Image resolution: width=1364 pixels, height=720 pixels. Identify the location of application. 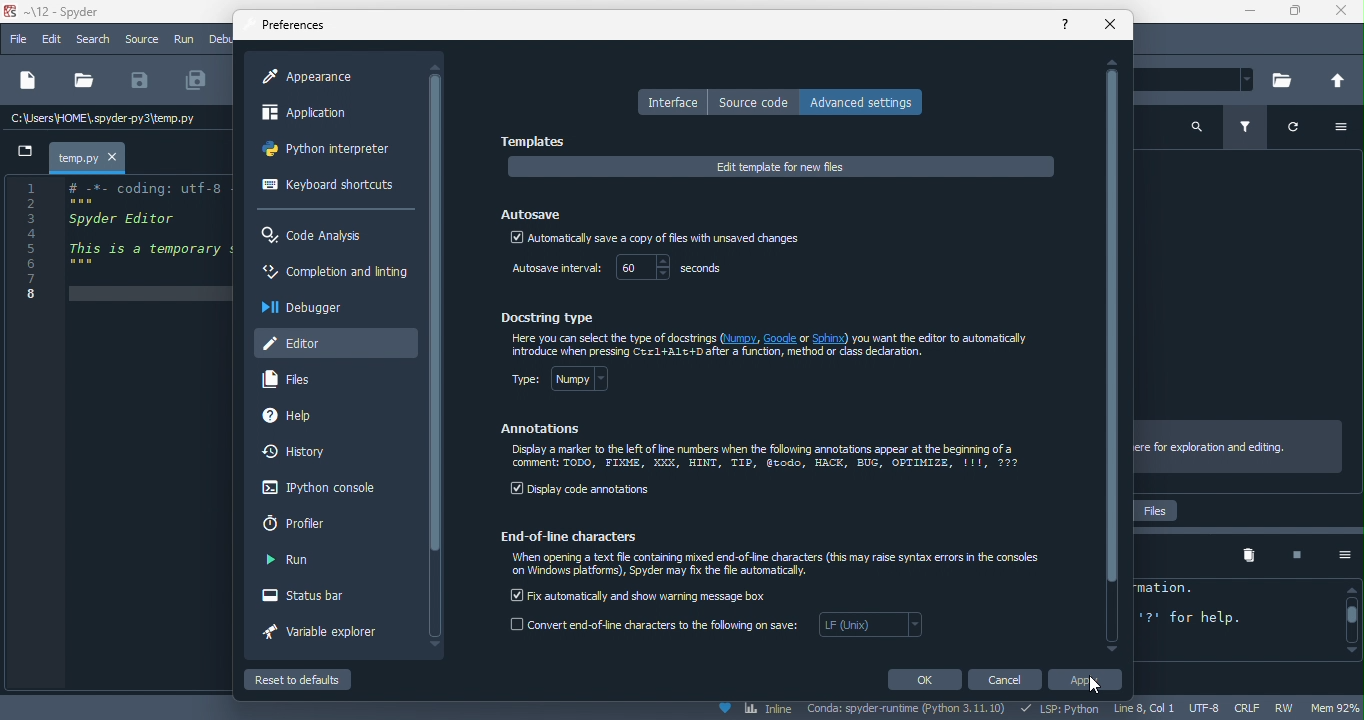
(323, 116).